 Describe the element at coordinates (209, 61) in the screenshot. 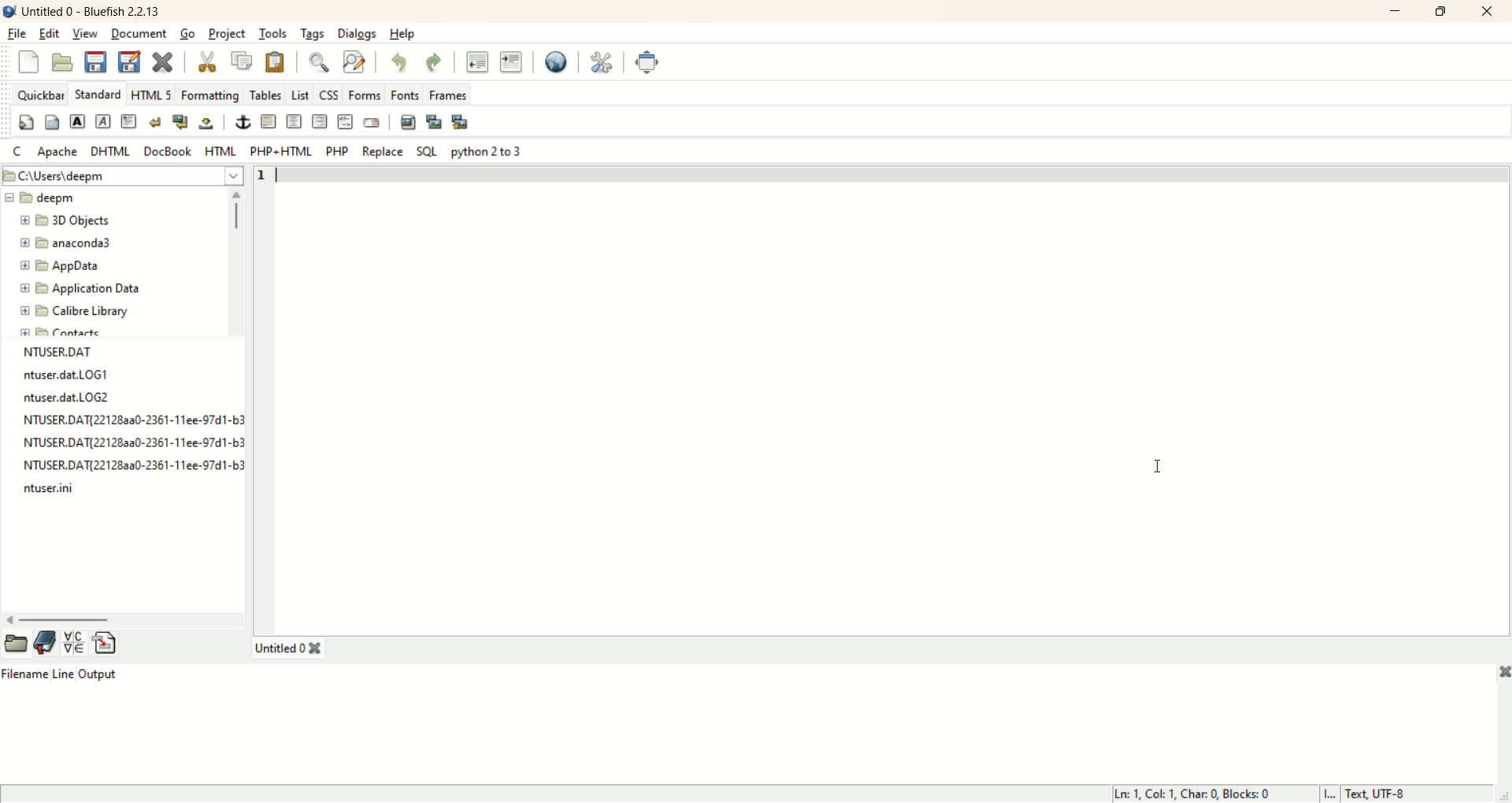

I see `cut` at that location.